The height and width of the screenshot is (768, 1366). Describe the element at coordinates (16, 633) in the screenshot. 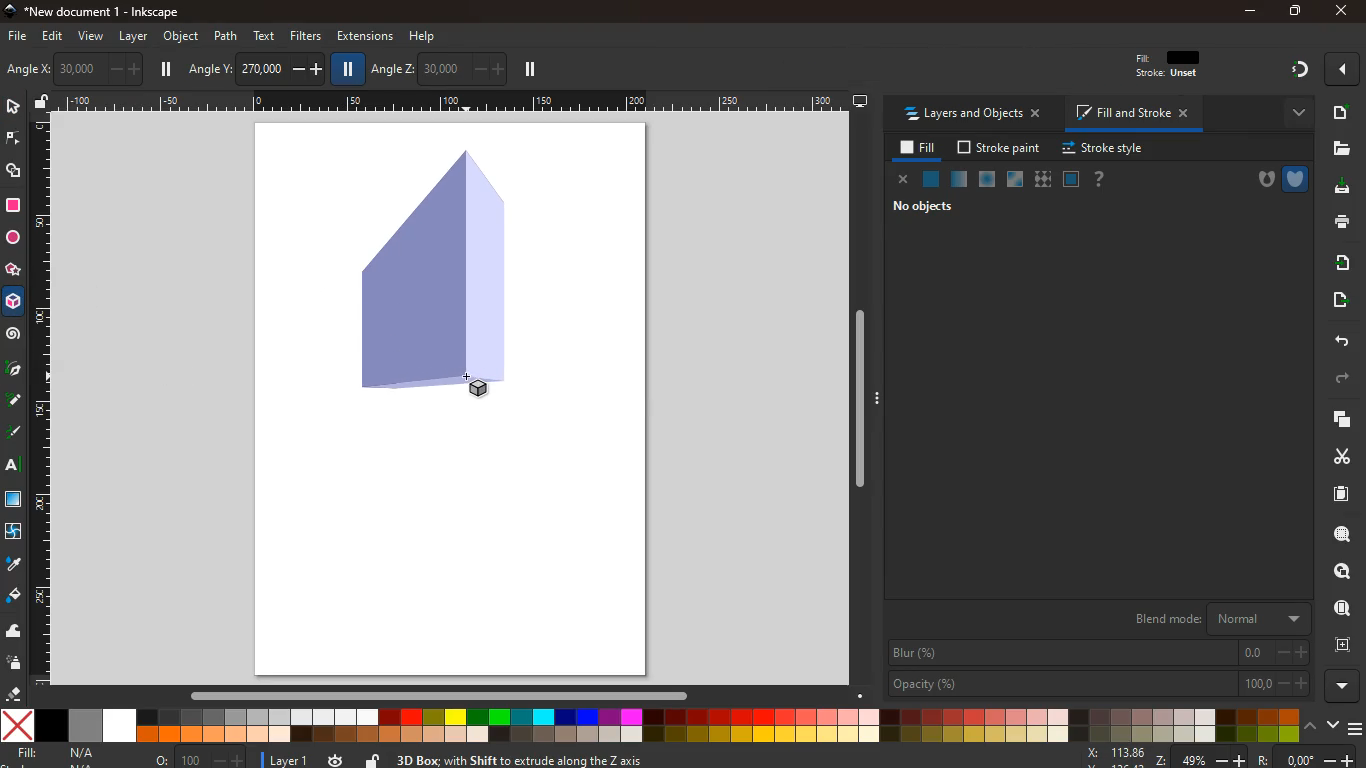

I see `wave` at that location.